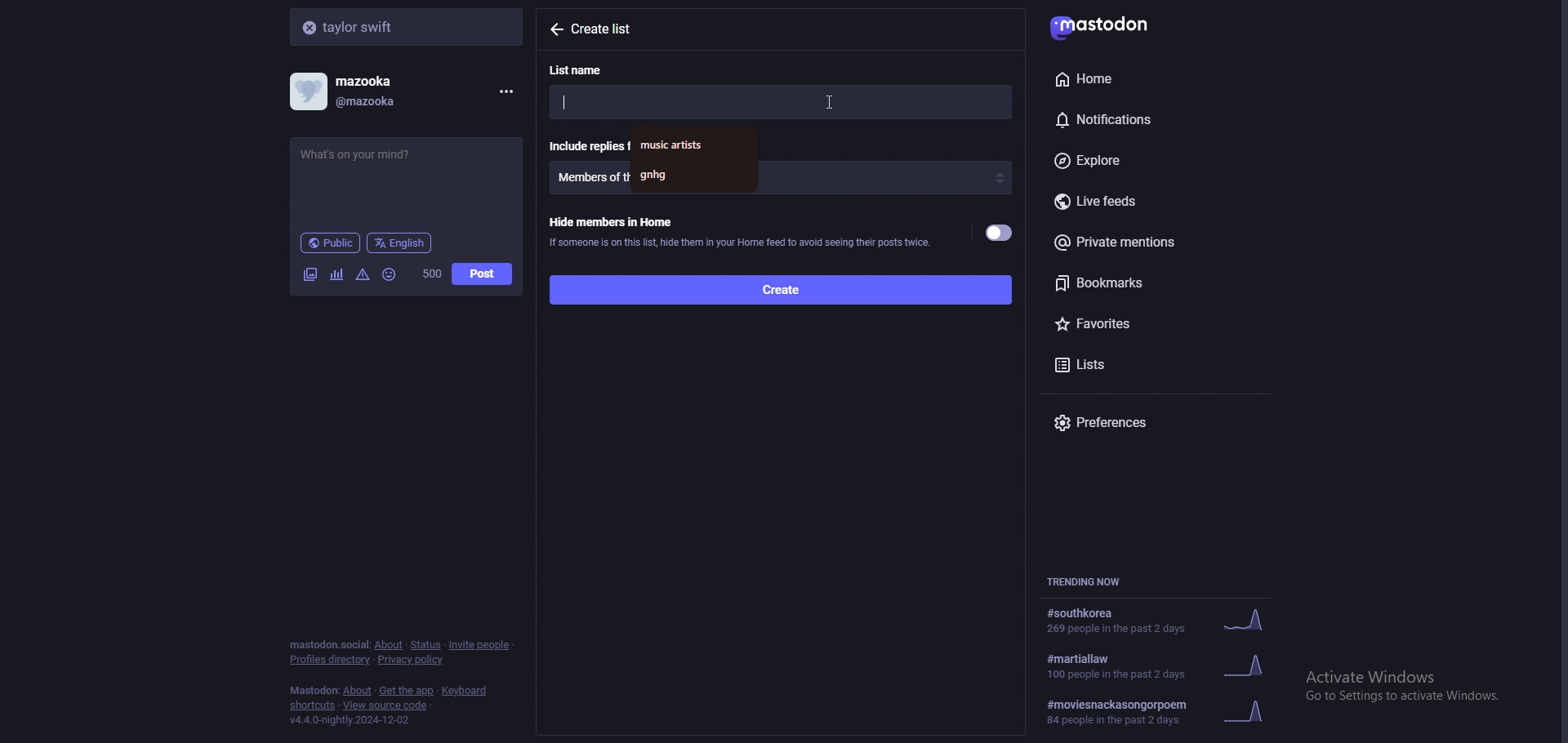 Image resolution: width=1568 pixels, height=743 pixels. Describe the element at coordinates (586, 69) in the screenshot. I see `list name` at that location.